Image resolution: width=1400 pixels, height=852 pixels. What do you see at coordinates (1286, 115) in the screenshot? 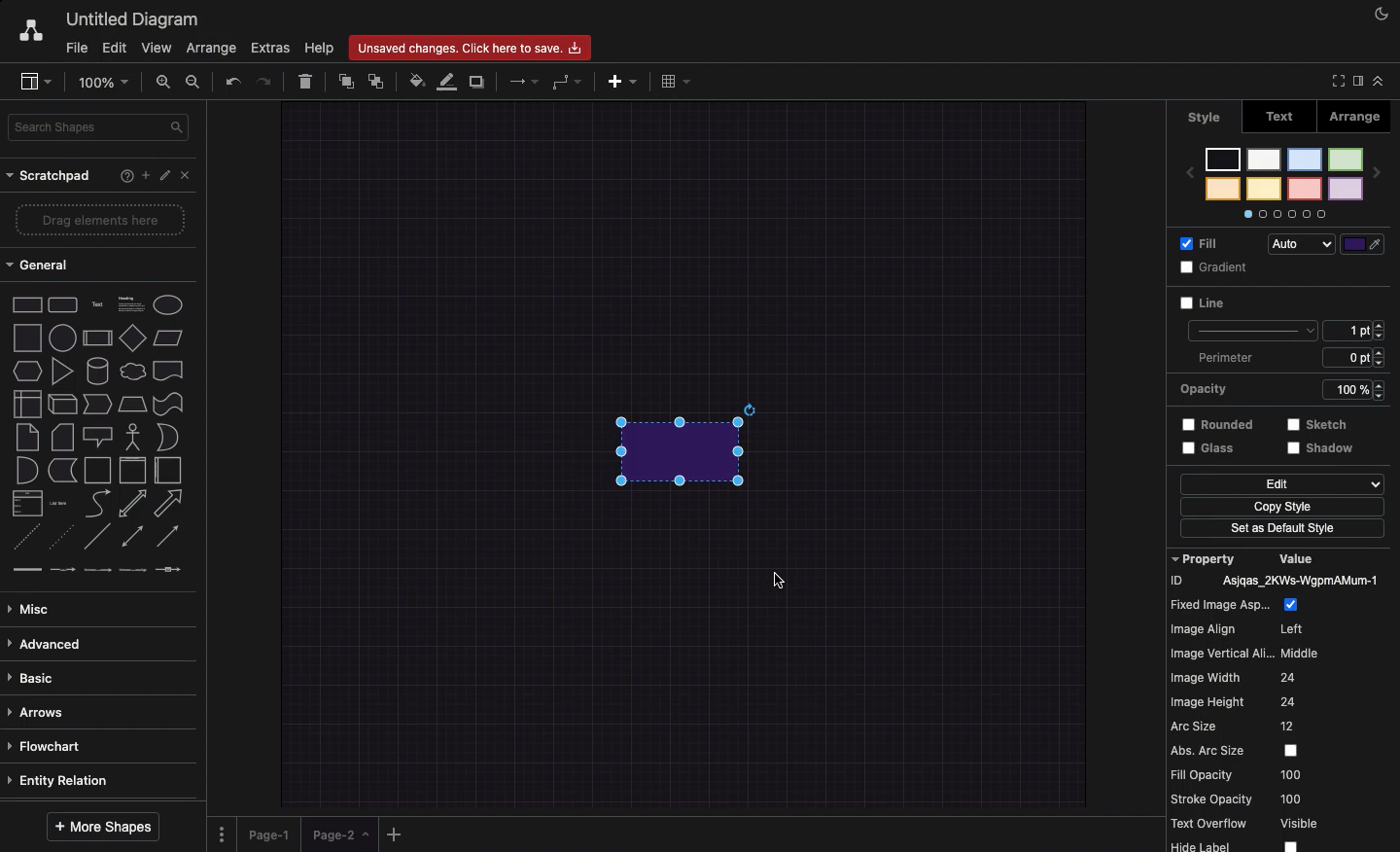
I see `Text` at bounding box center [1286, 115].